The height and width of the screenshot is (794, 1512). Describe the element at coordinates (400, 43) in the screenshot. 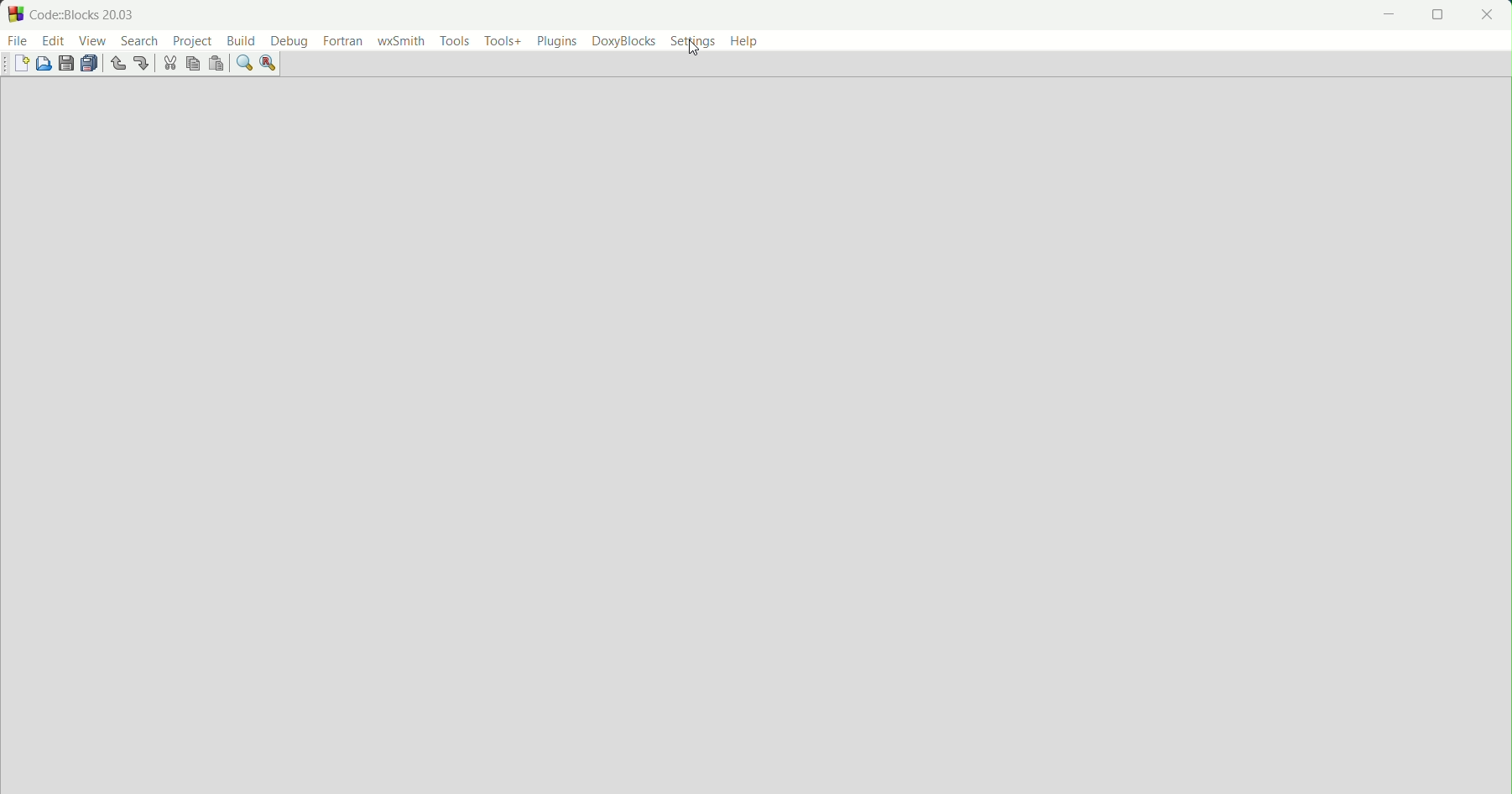

I see `wxsmith` at that location.